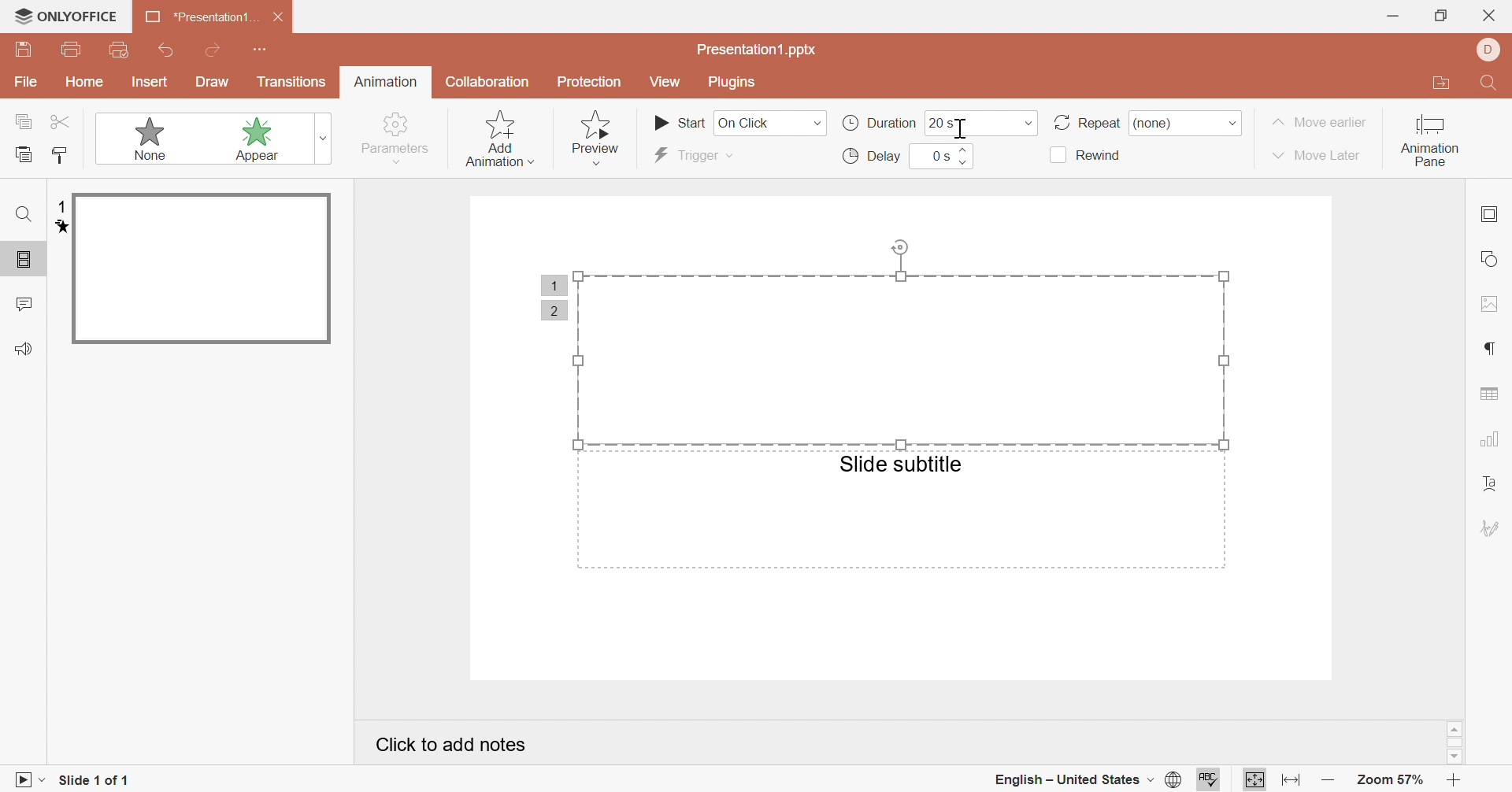 The image size is (1512, 792). I want to click on on click, so click(769, 123).